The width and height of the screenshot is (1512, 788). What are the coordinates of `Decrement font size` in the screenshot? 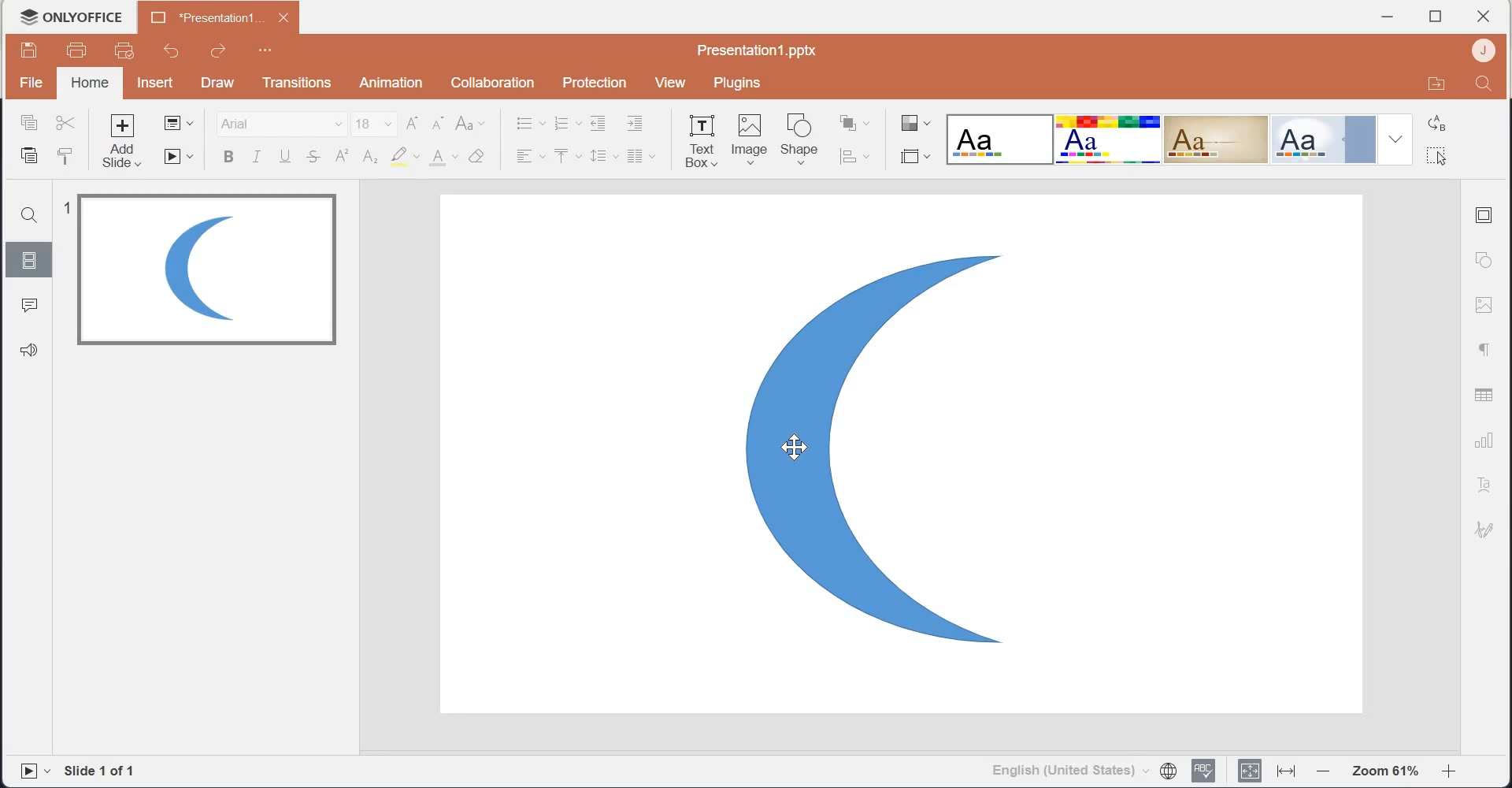 It's located at (439, 124).